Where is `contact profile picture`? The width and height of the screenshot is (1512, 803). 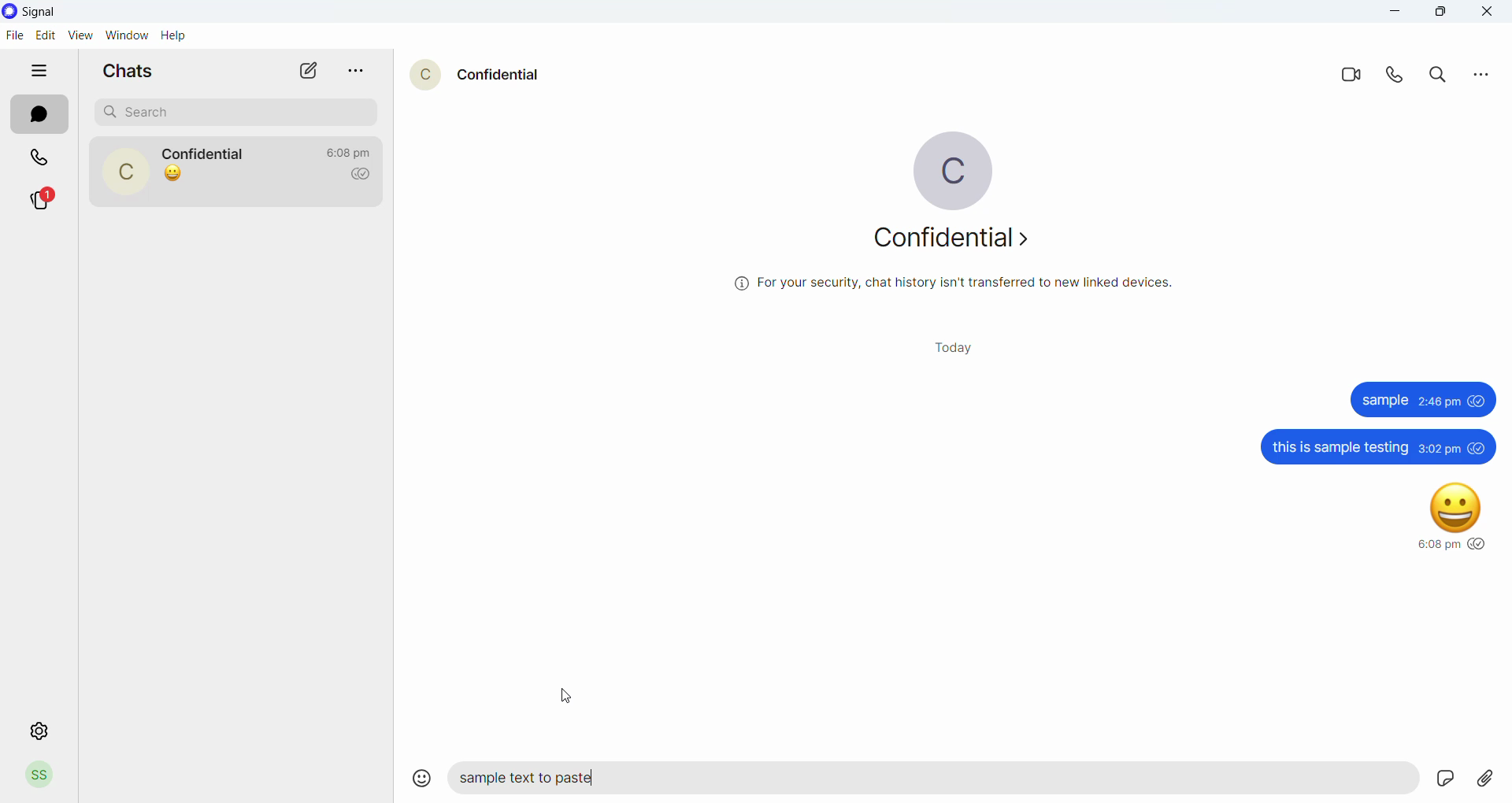 contact profile picture is located at coordinates (130, 173).